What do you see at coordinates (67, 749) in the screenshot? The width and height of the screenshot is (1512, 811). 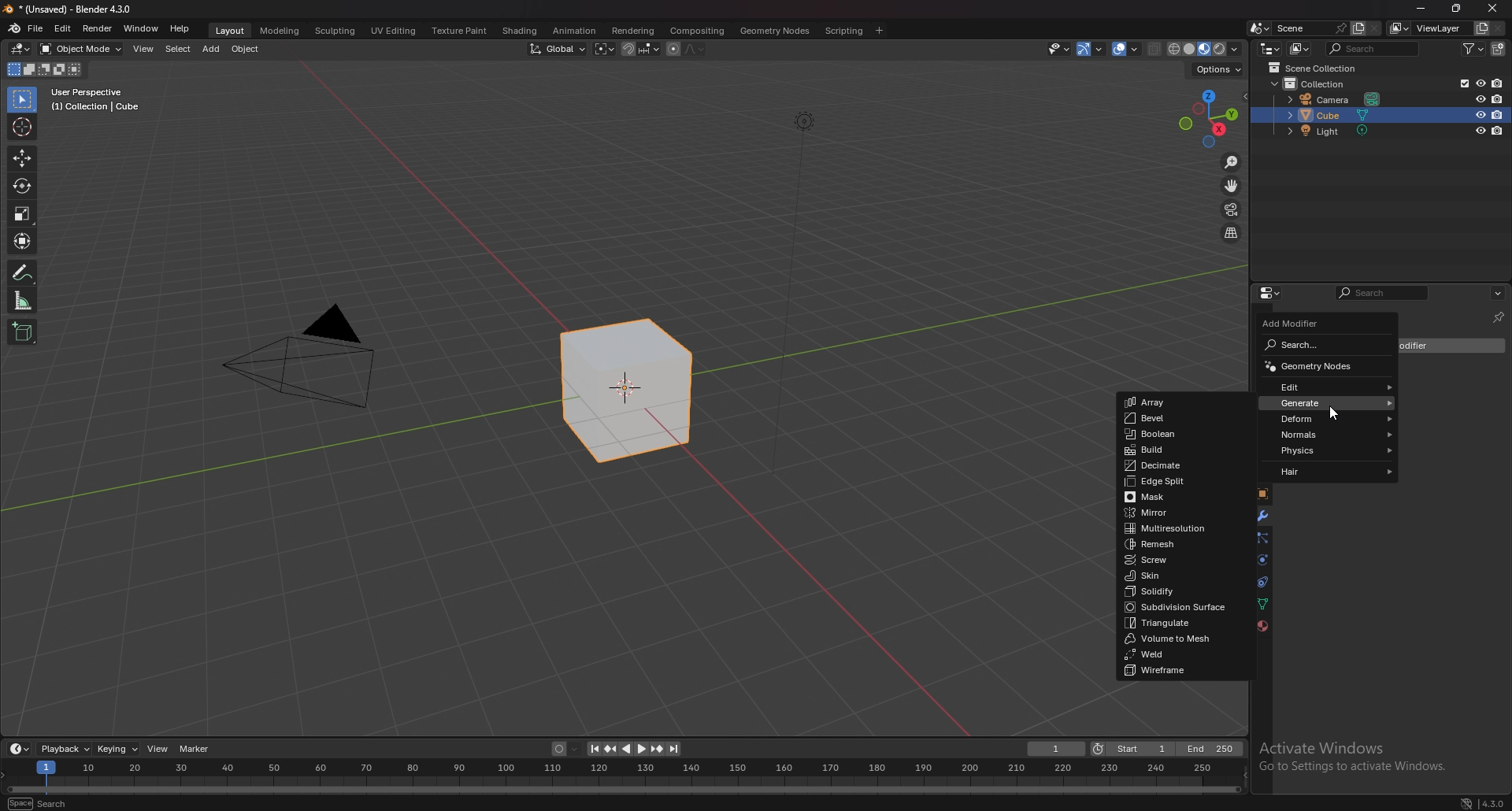 I see `playback` at bounding box center [67, 749].